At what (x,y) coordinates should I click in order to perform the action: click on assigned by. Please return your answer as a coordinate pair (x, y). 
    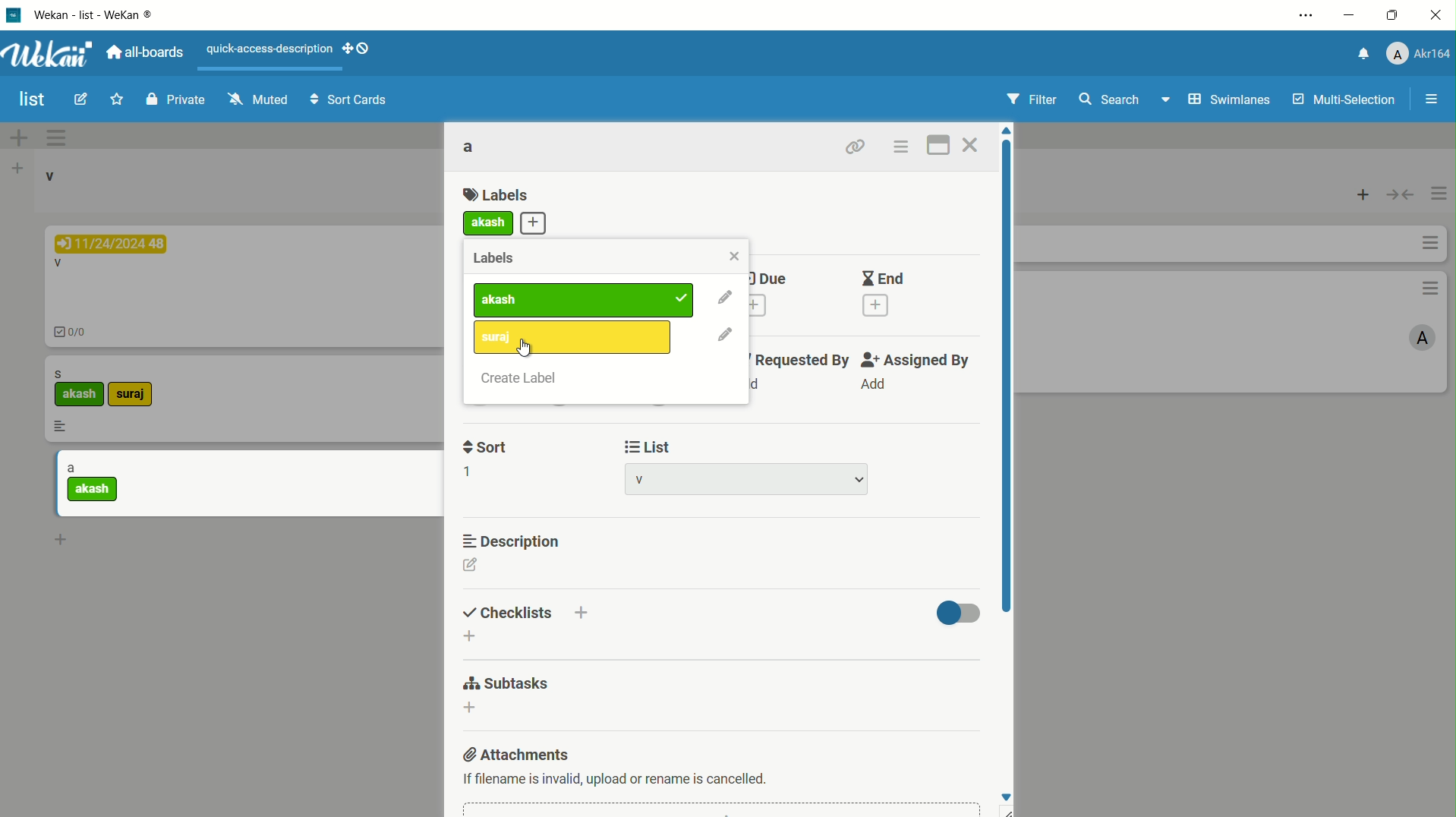
    Looking at the image, I should click on (915, 358).